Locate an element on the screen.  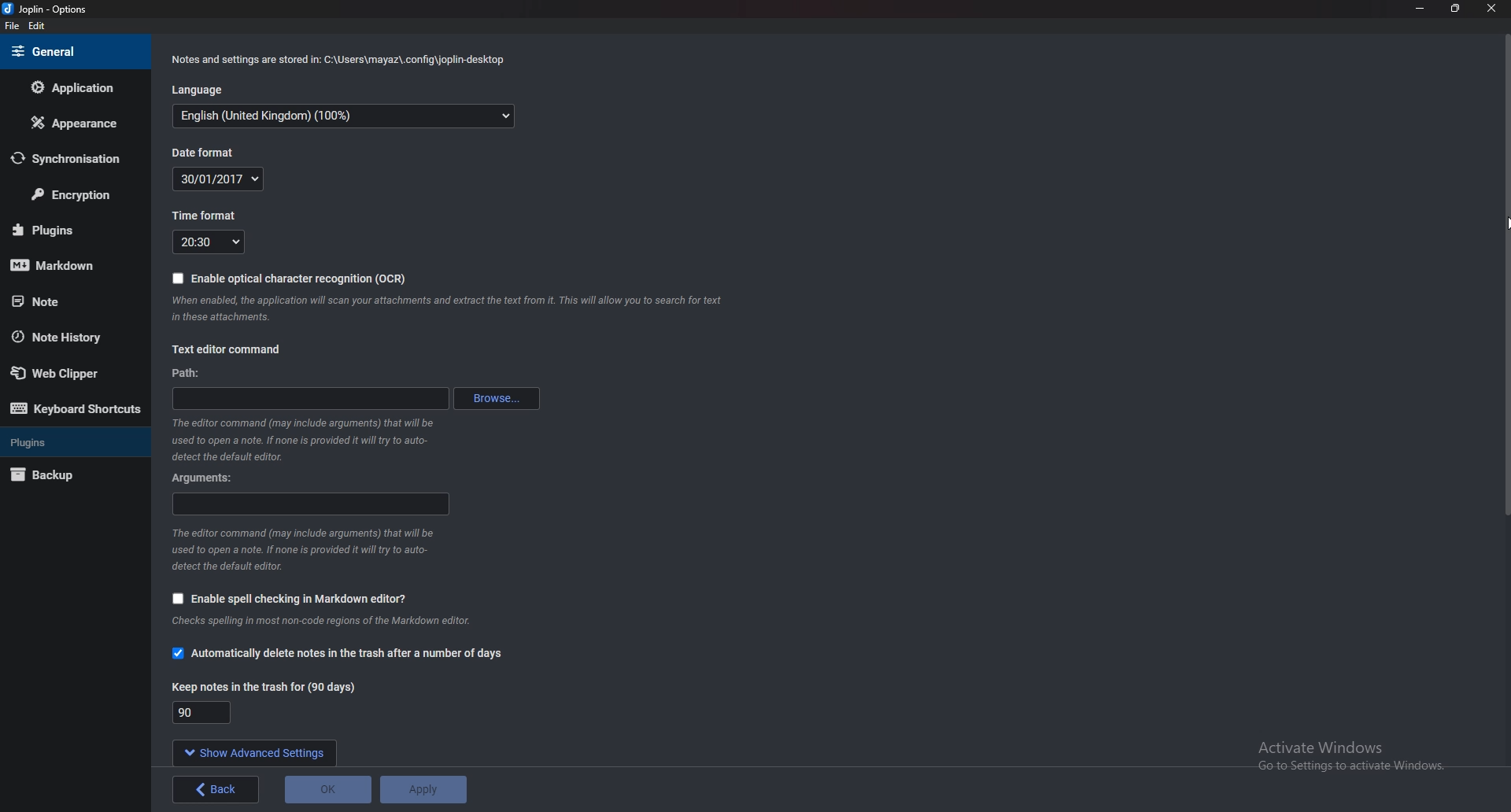
info on notes and settings is located at coordinates (337, 61).